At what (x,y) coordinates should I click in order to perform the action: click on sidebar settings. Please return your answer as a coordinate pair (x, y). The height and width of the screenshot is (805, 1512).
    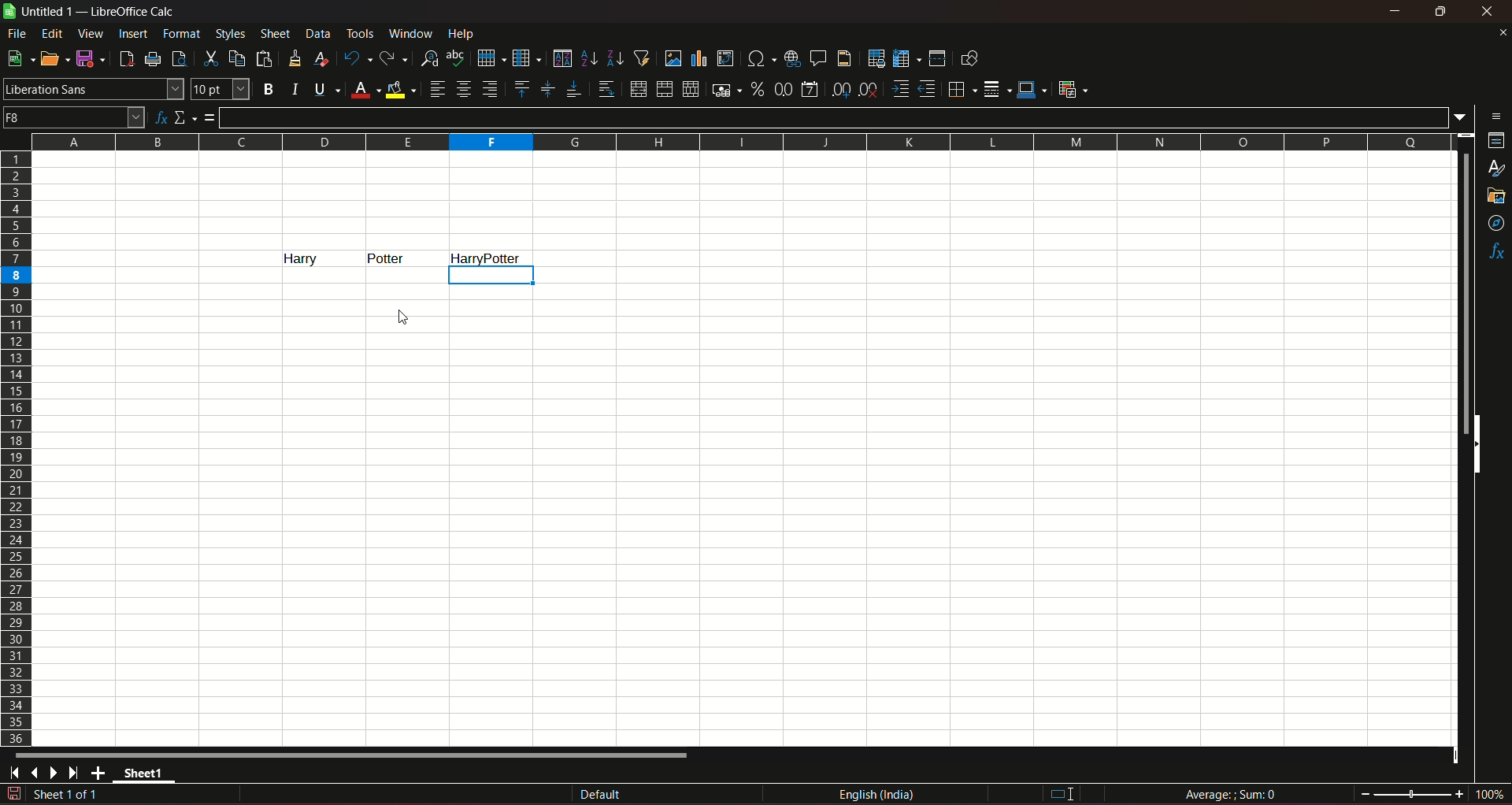
    Looking at the image, I should click on (1497, 115).